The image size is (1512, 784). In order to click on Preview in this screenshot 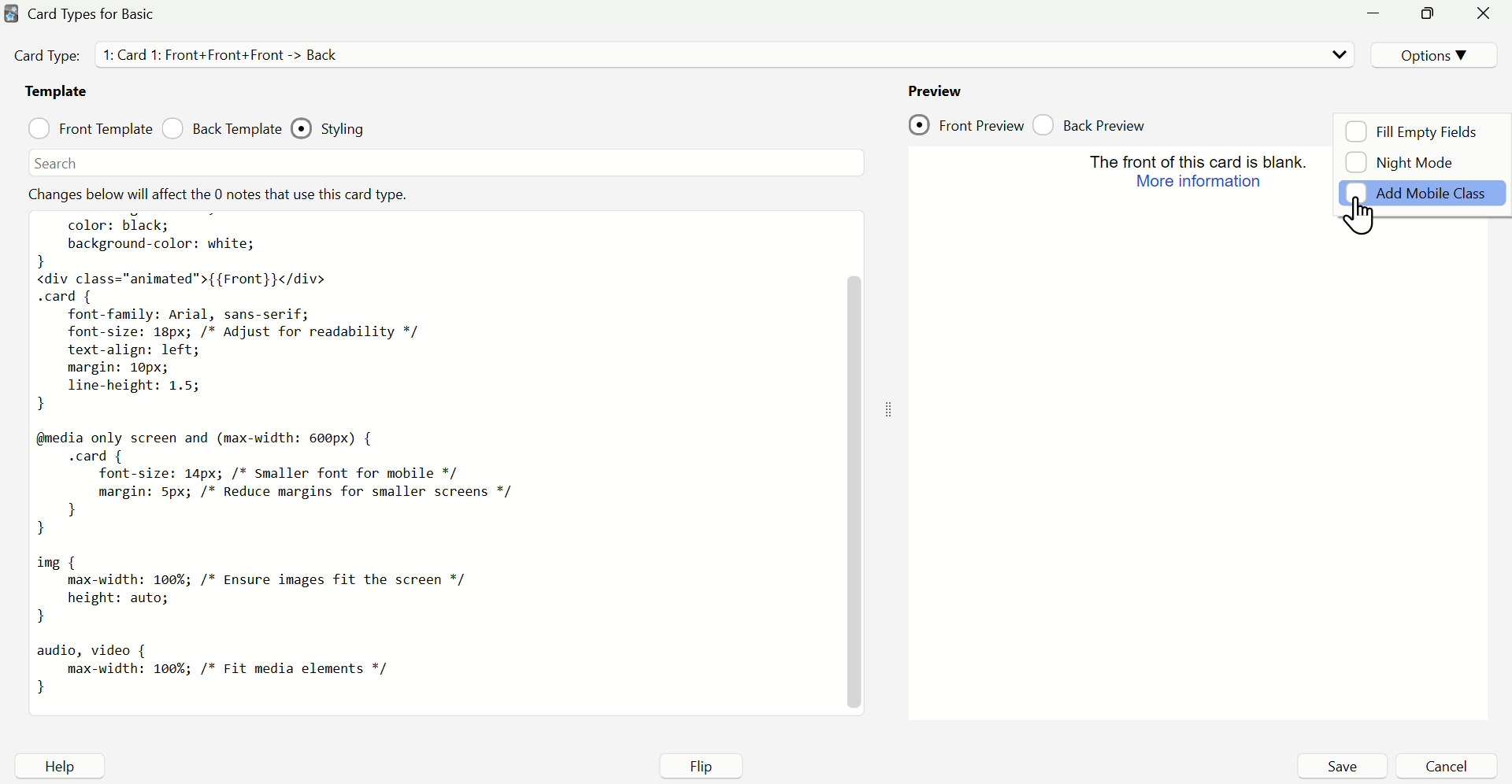, I will do `click(935, 87)`.